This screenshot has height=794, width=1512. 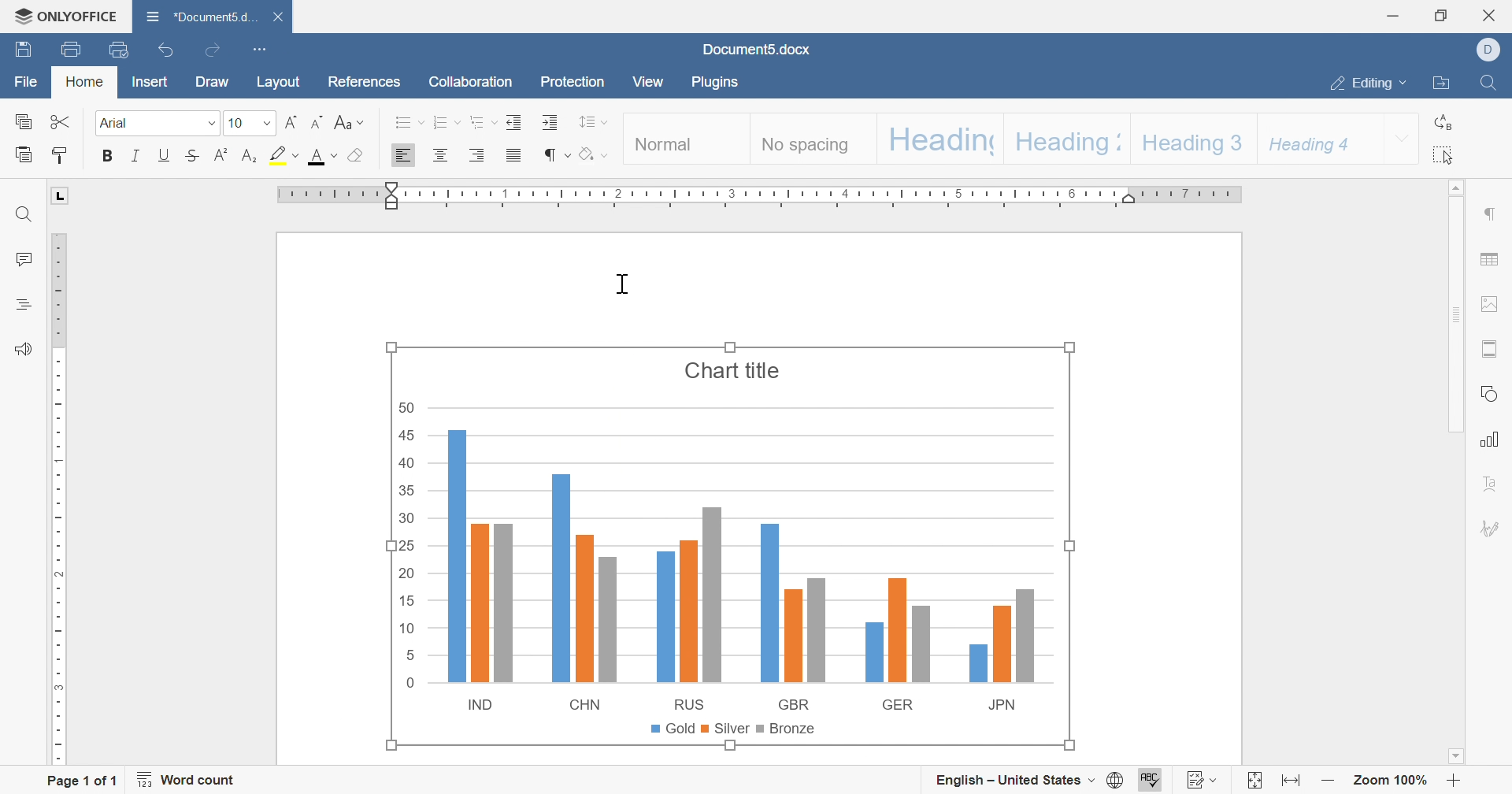 I want to click on 10, so click(x=236, y=123).